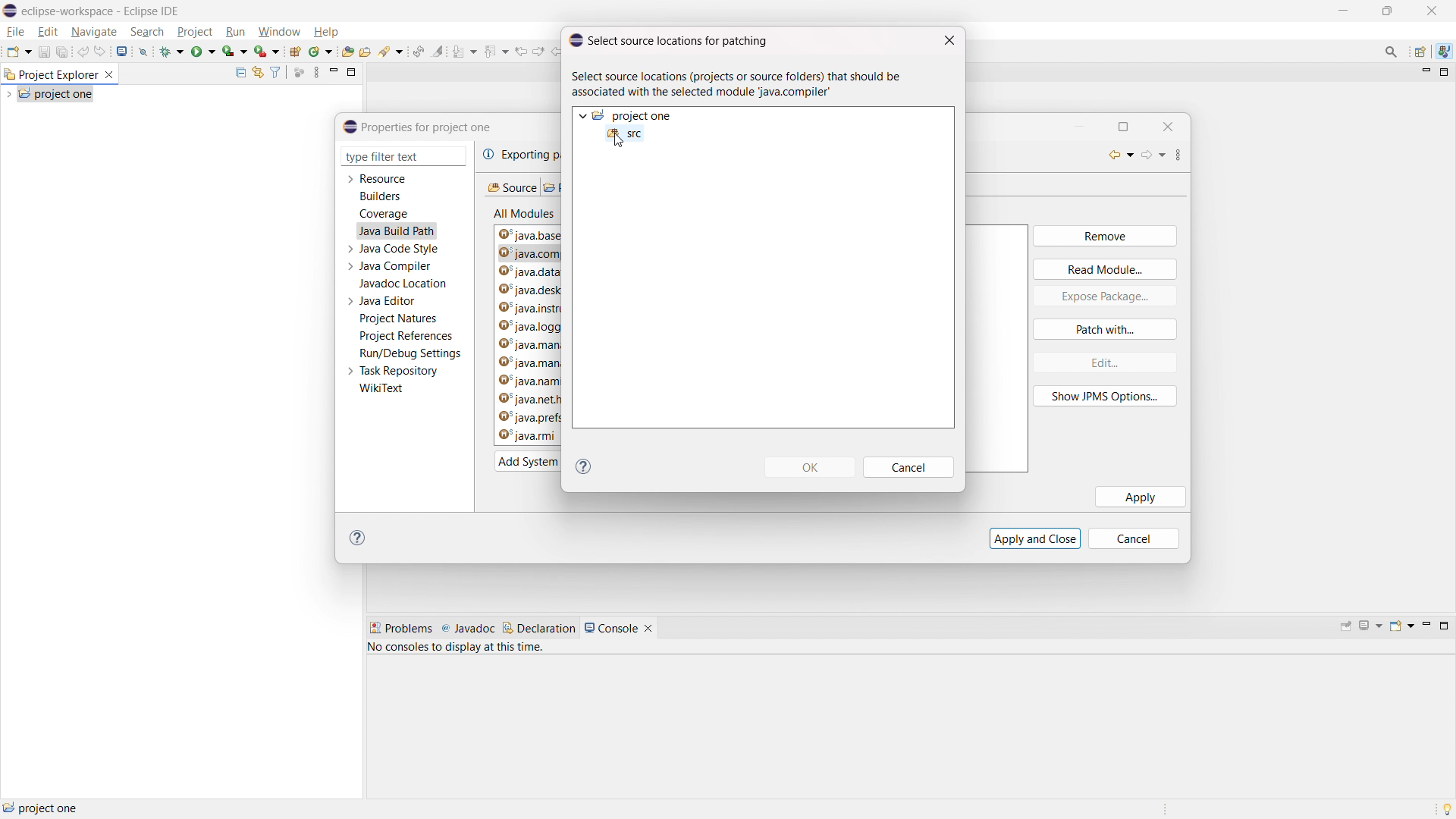  What do you see at coordinates (348, 51) in the screenshot?
I see `open type` at bounding box center [348, 51].